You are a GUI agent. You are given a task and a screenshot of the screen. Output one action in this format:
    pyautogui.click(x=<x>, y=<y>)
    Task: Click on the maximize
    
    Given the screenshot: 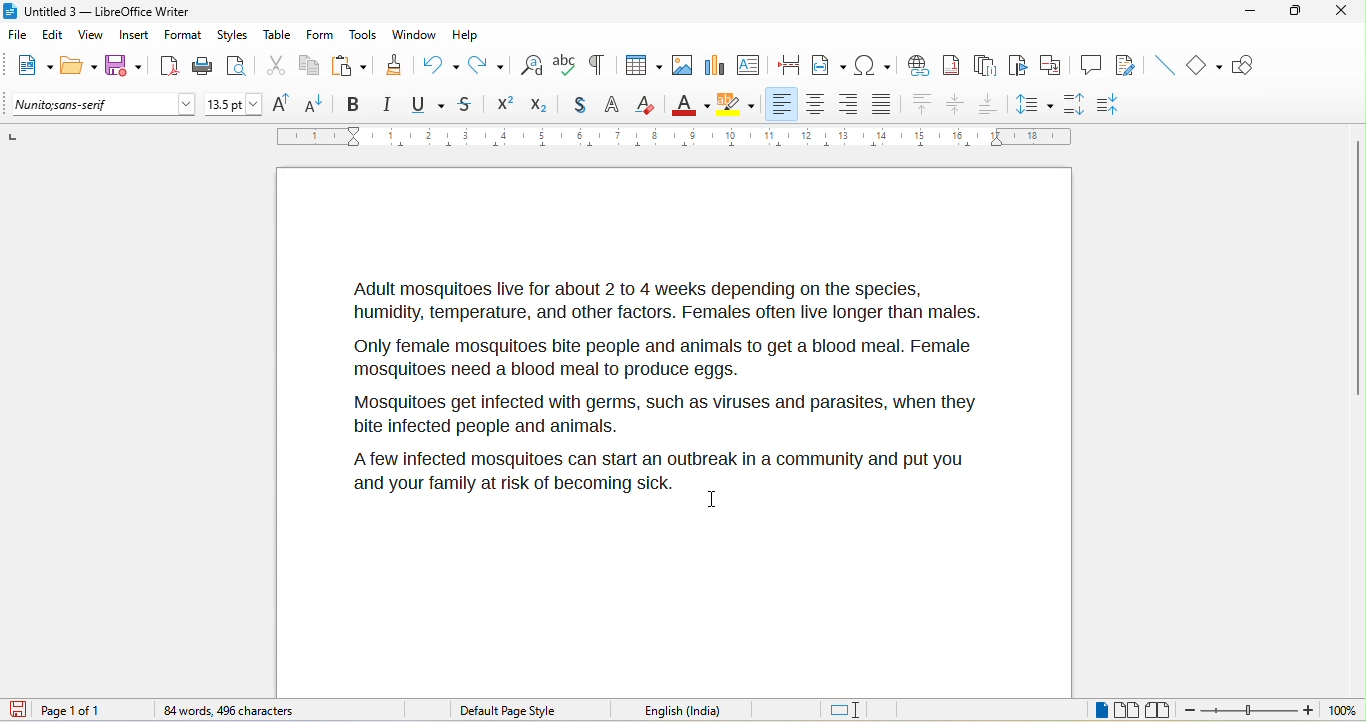 What is the action you would take?
    pyautogui.click(x=1288, y=12)
    